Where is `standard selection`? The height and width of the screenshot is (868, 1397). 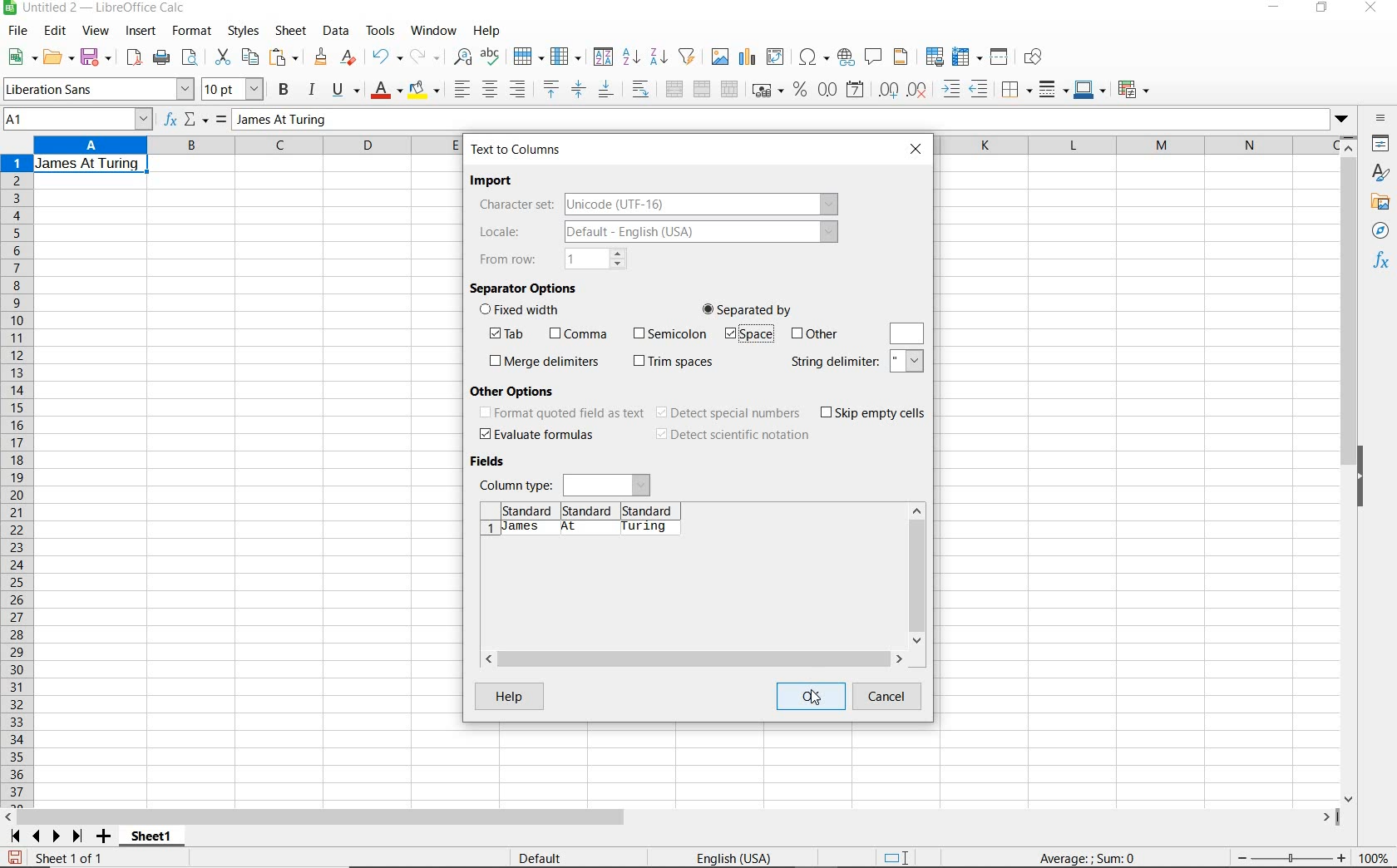
standard selection is located at coordinates (899, 856).